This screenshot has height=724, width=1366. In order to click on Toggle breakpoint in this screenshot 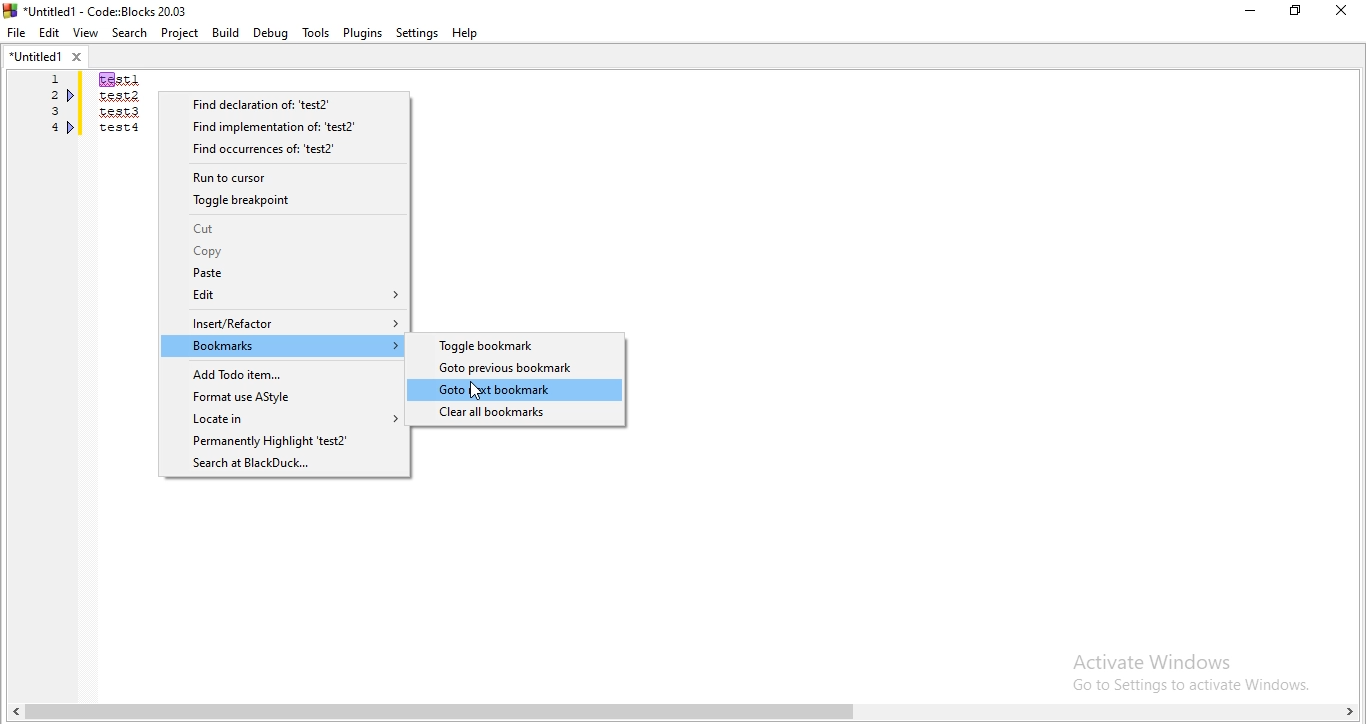, I will do `click(285, 199)`.